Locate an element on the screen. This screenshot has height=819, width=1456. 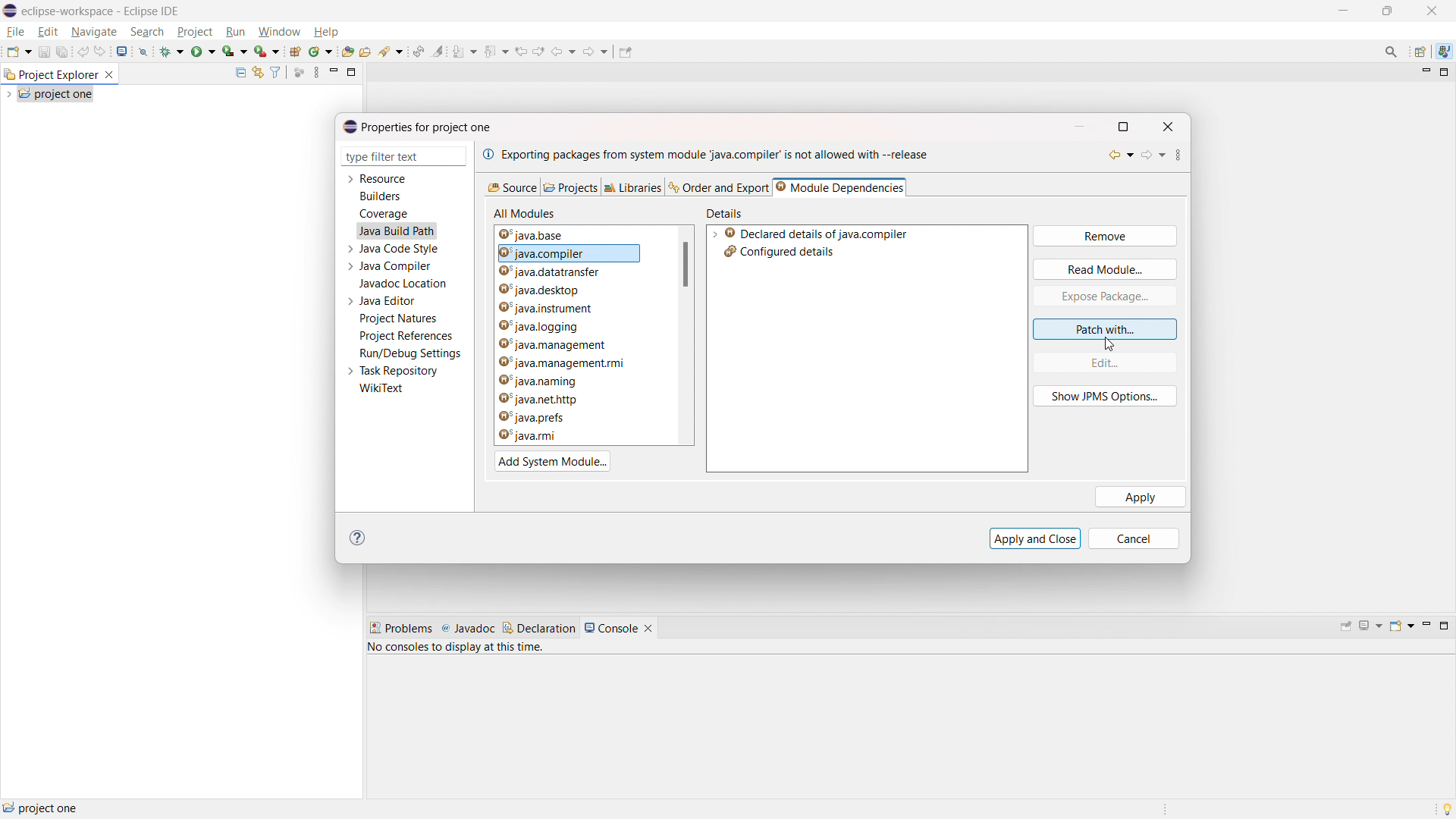
java compiler is located at coordinates (397, 266).